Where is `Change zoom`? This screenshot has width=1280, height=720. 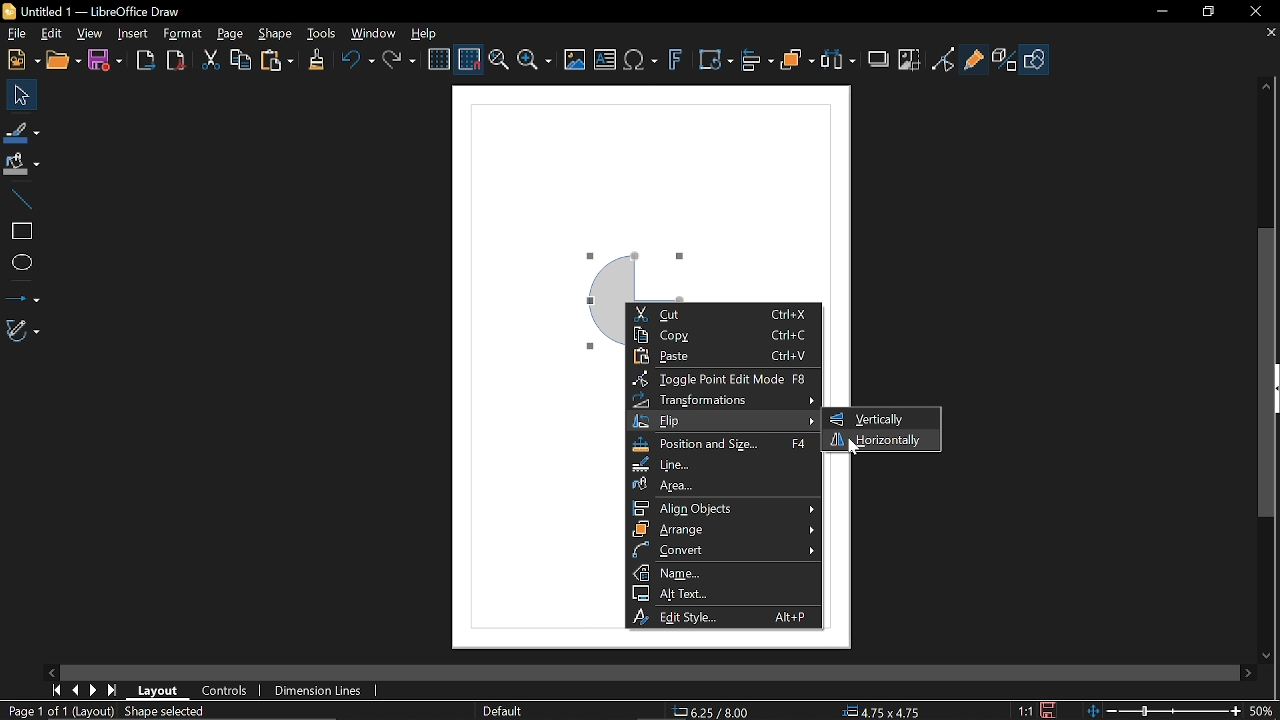
Change zoom is located at coordinates (1164, 711).